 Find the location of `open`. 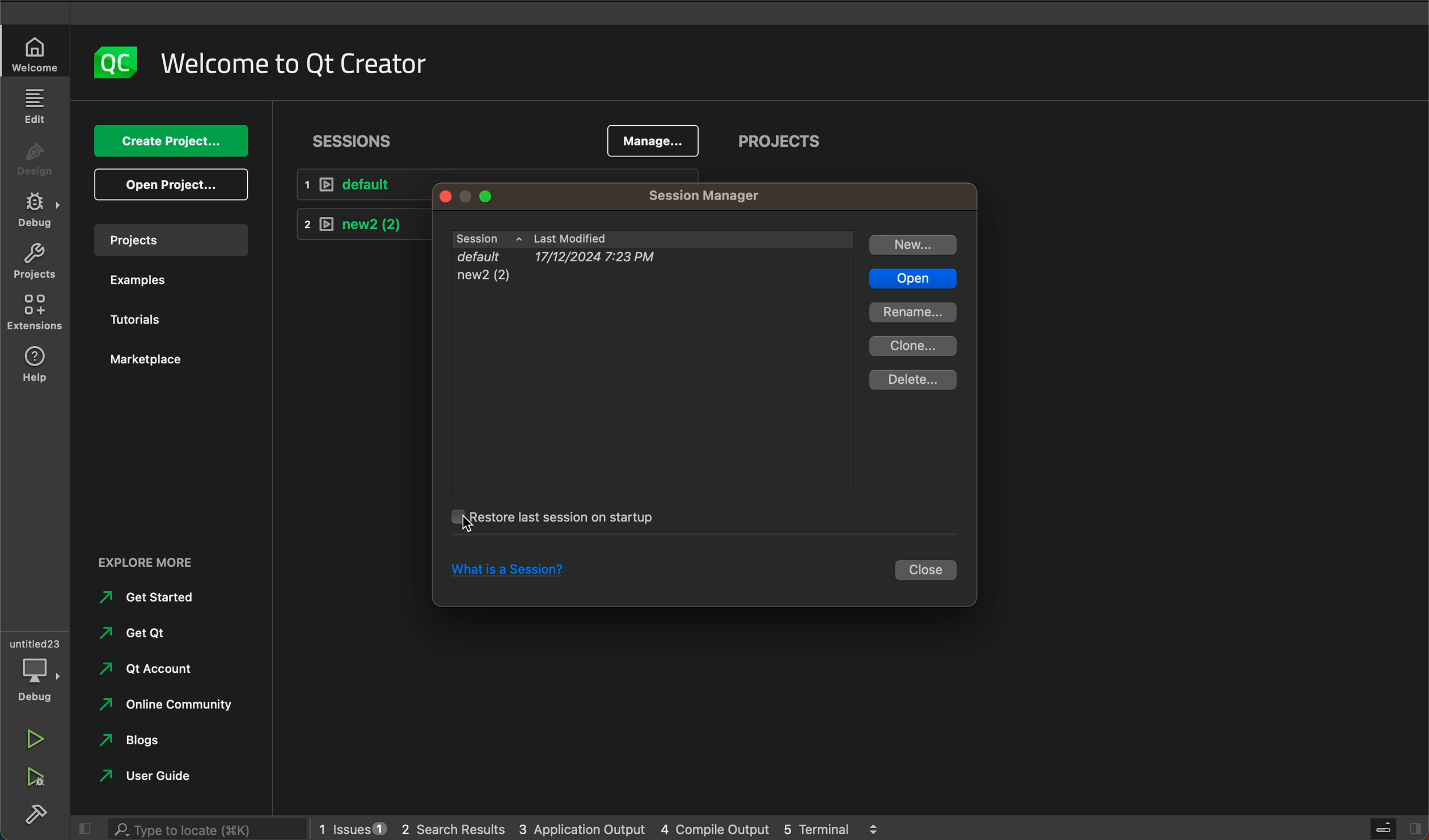

open is located at coordinates (911, 278).